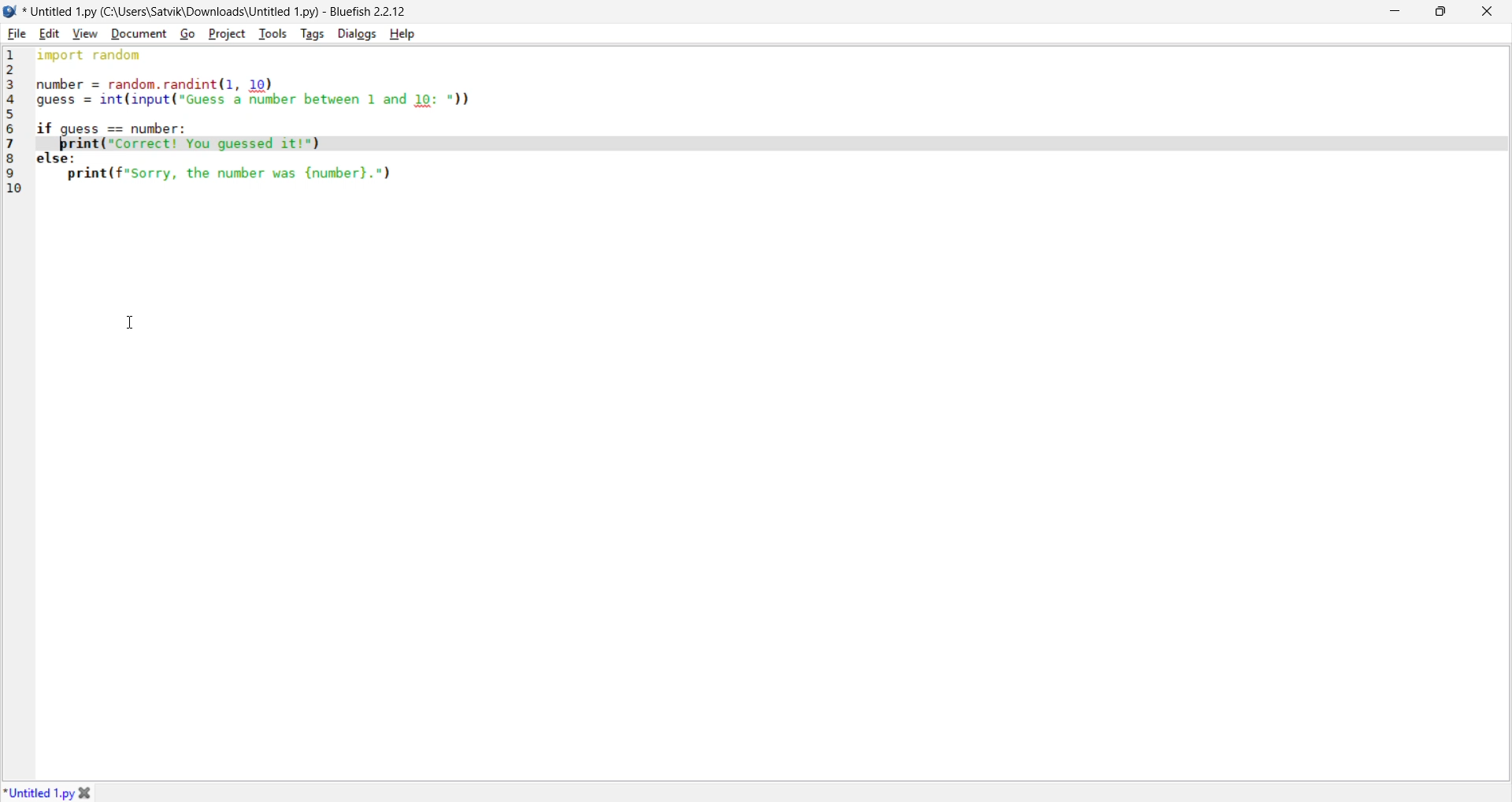  I want to click on close tab, so click(88, 790).